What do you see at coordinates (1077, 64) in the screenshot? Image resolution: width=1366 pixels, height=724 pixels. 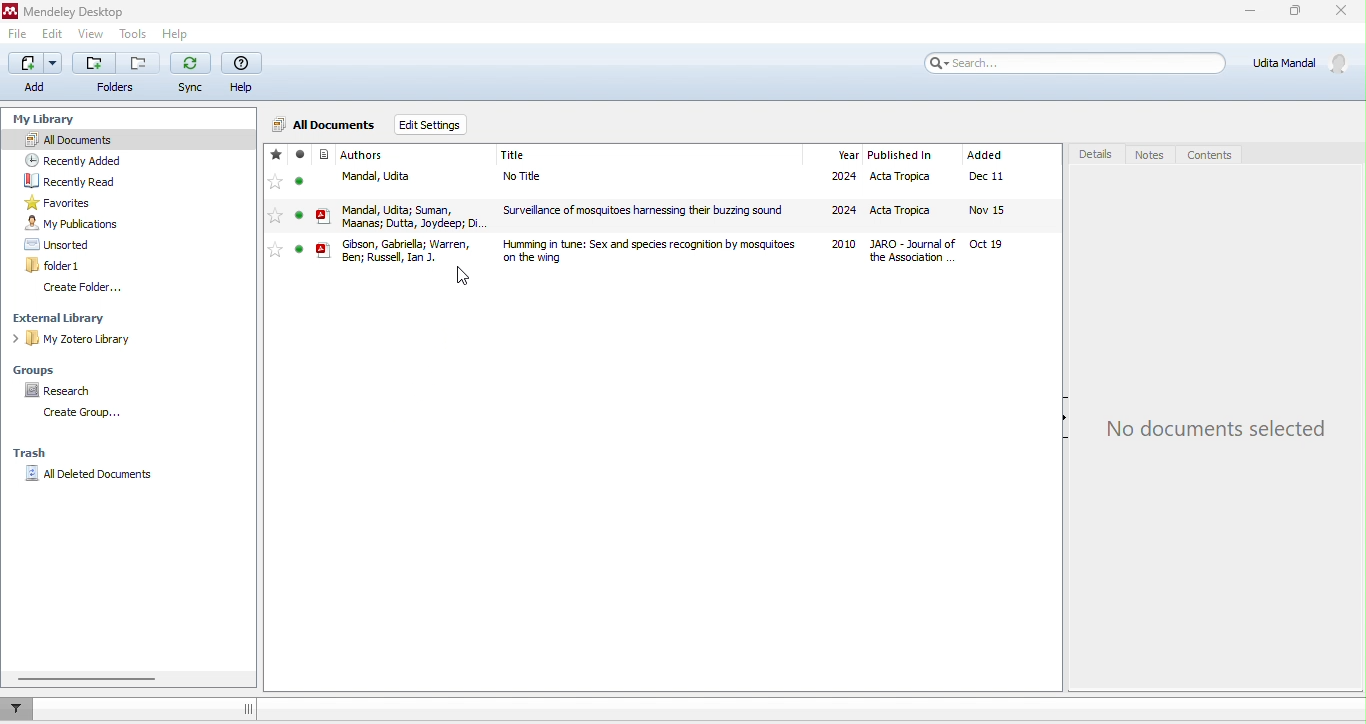 I see `search bar` at bounding box center [1077, 64].